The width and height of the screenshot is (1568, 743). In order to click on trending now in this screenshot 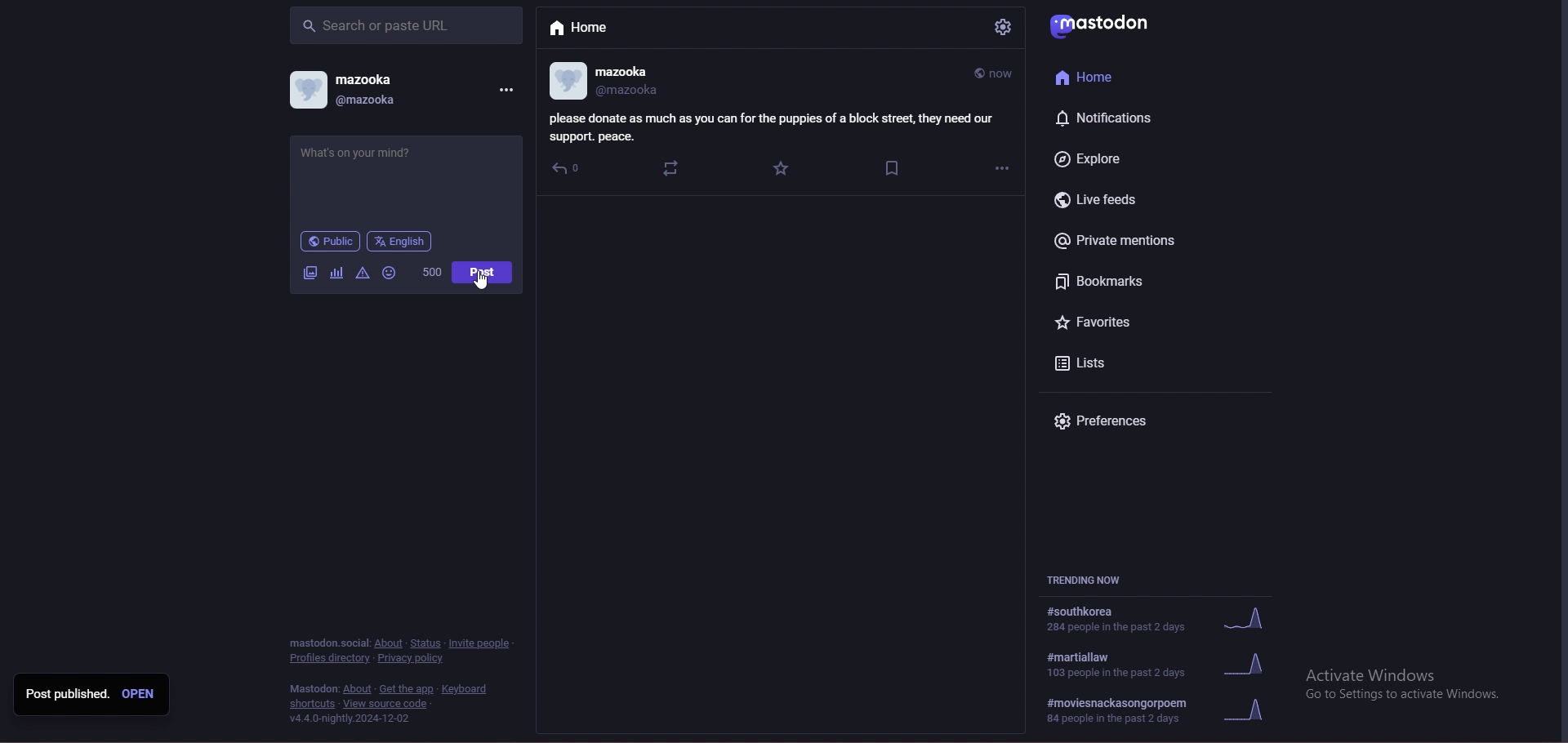, I will do `click(1094, 581)`.